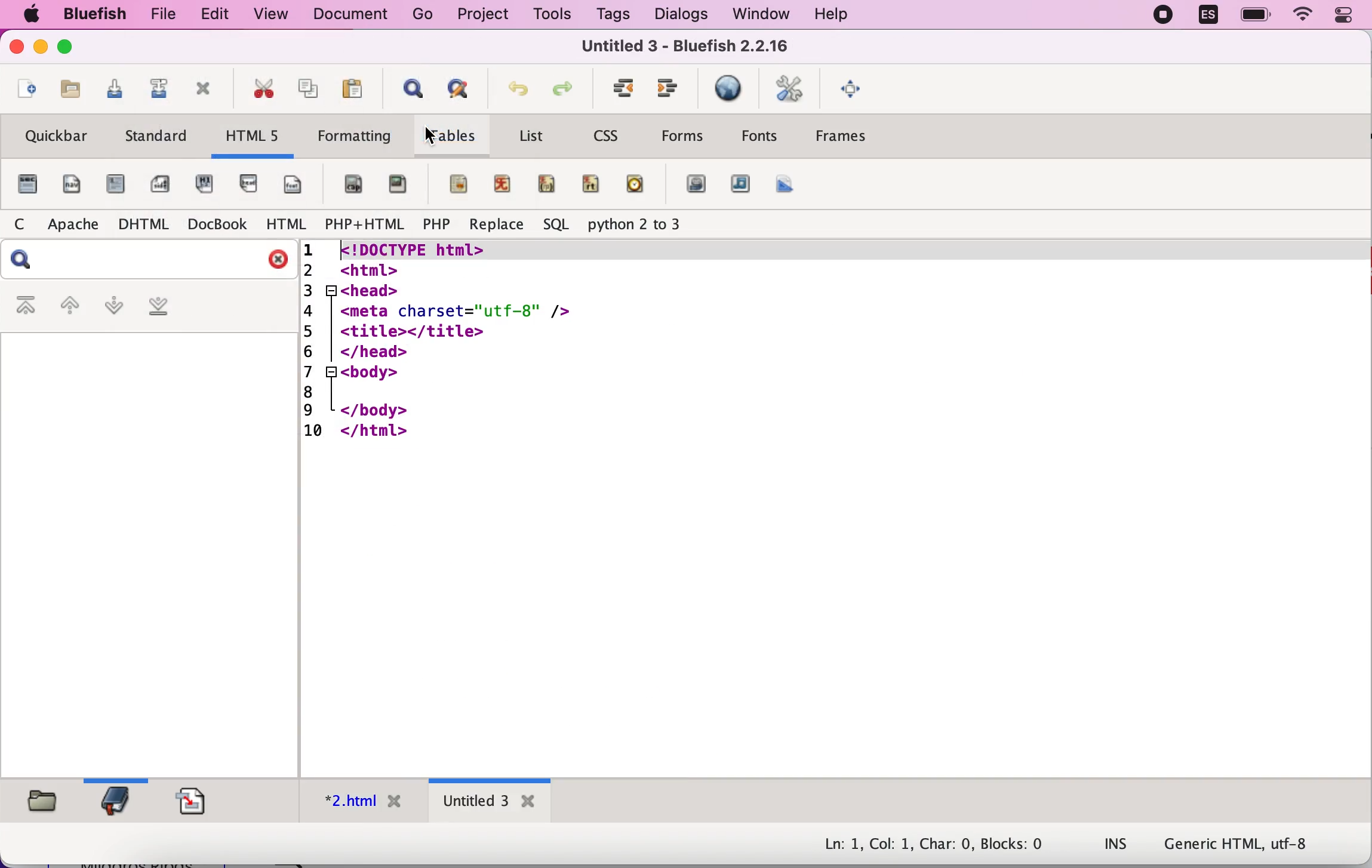  What do you see at coordinates (684, 138) in the screenshot?
I see `forms` at bounding box center [684, 138].